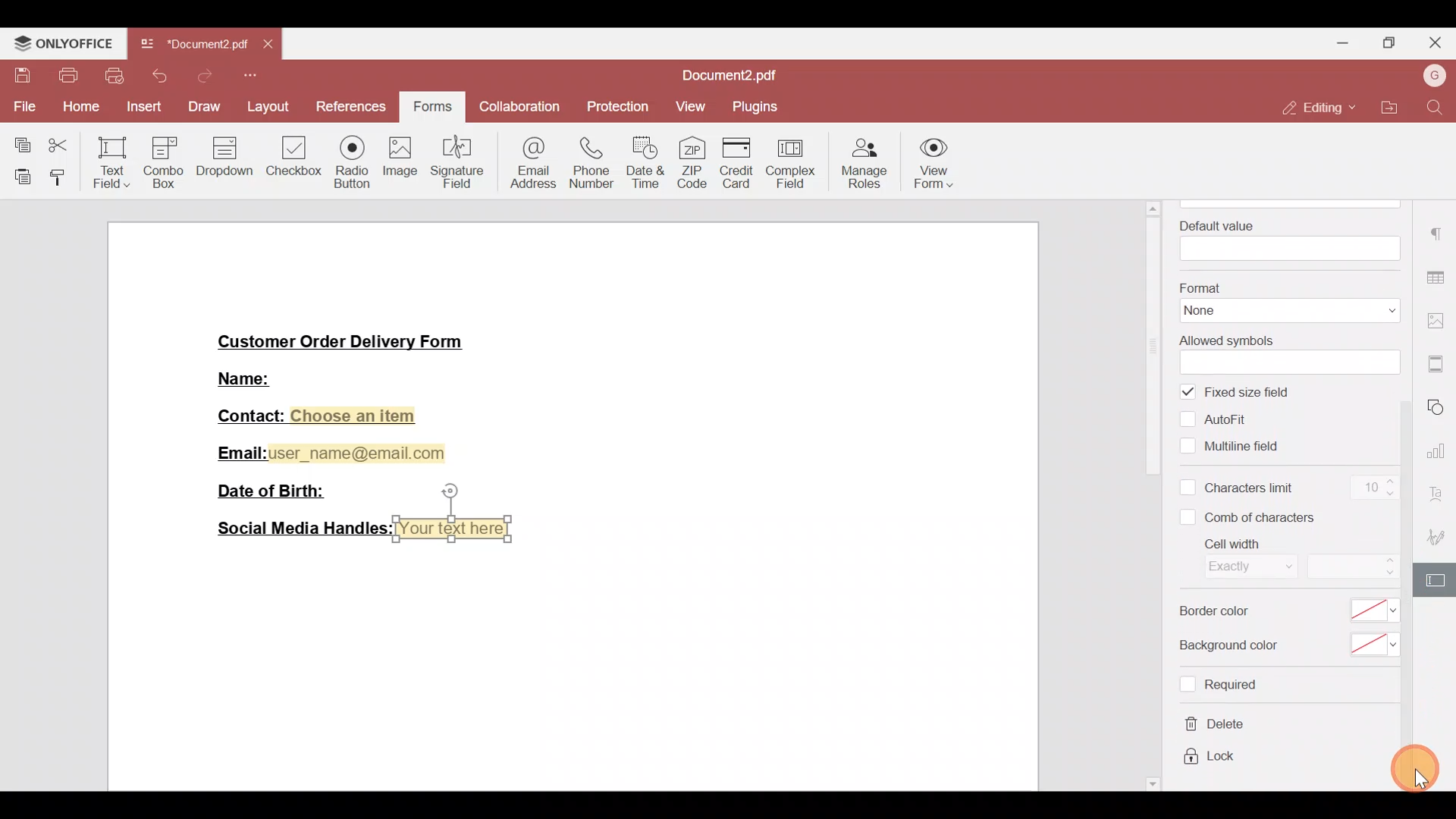  What do you see at coordinates (1441, 407) in the screenshot?
I see `Shapes settings` at bounding box center [1441, 407].